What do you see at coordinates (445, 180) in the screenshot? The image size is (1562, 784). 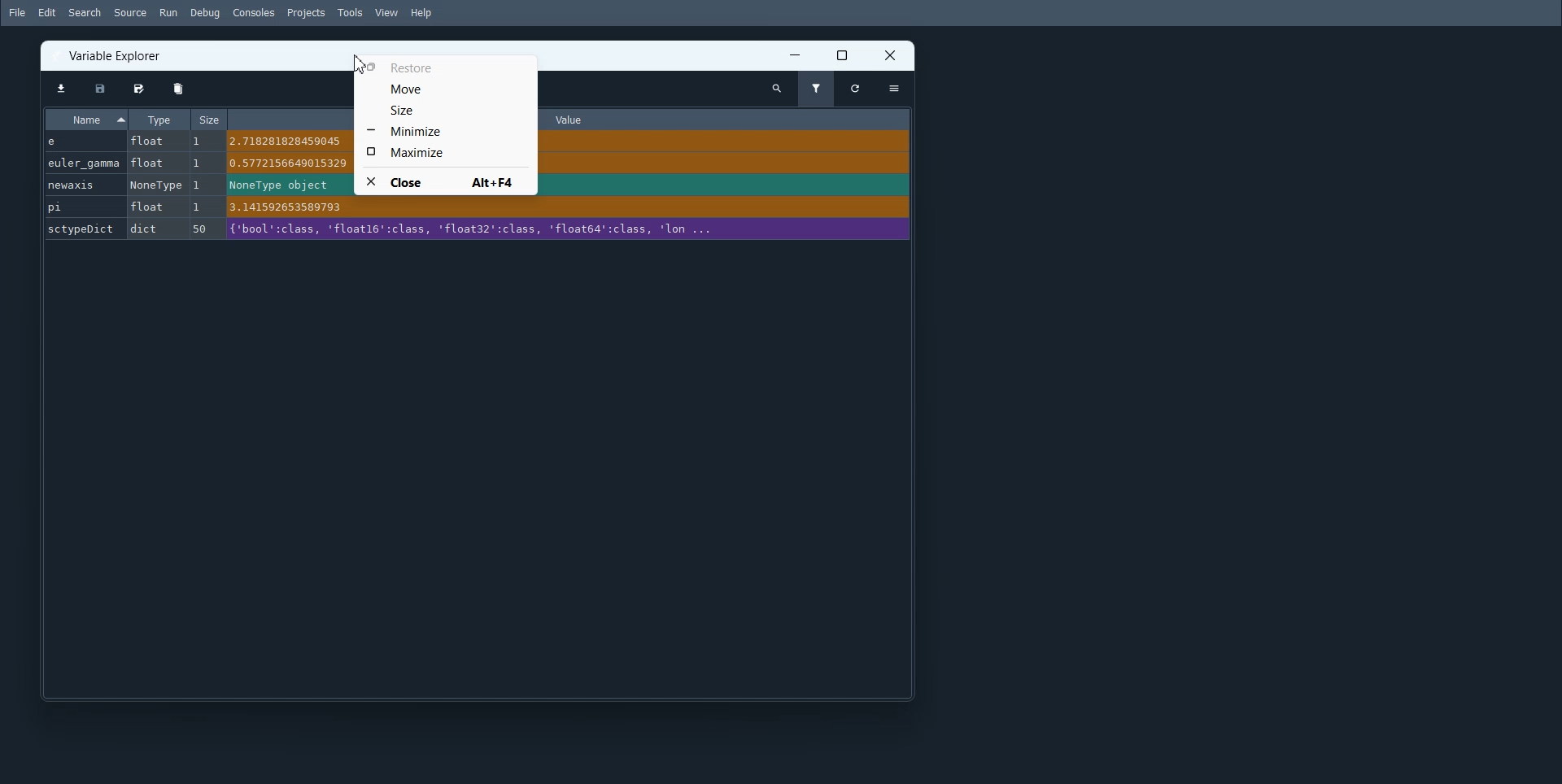 I see `Close` at bounding box center [445, 180].